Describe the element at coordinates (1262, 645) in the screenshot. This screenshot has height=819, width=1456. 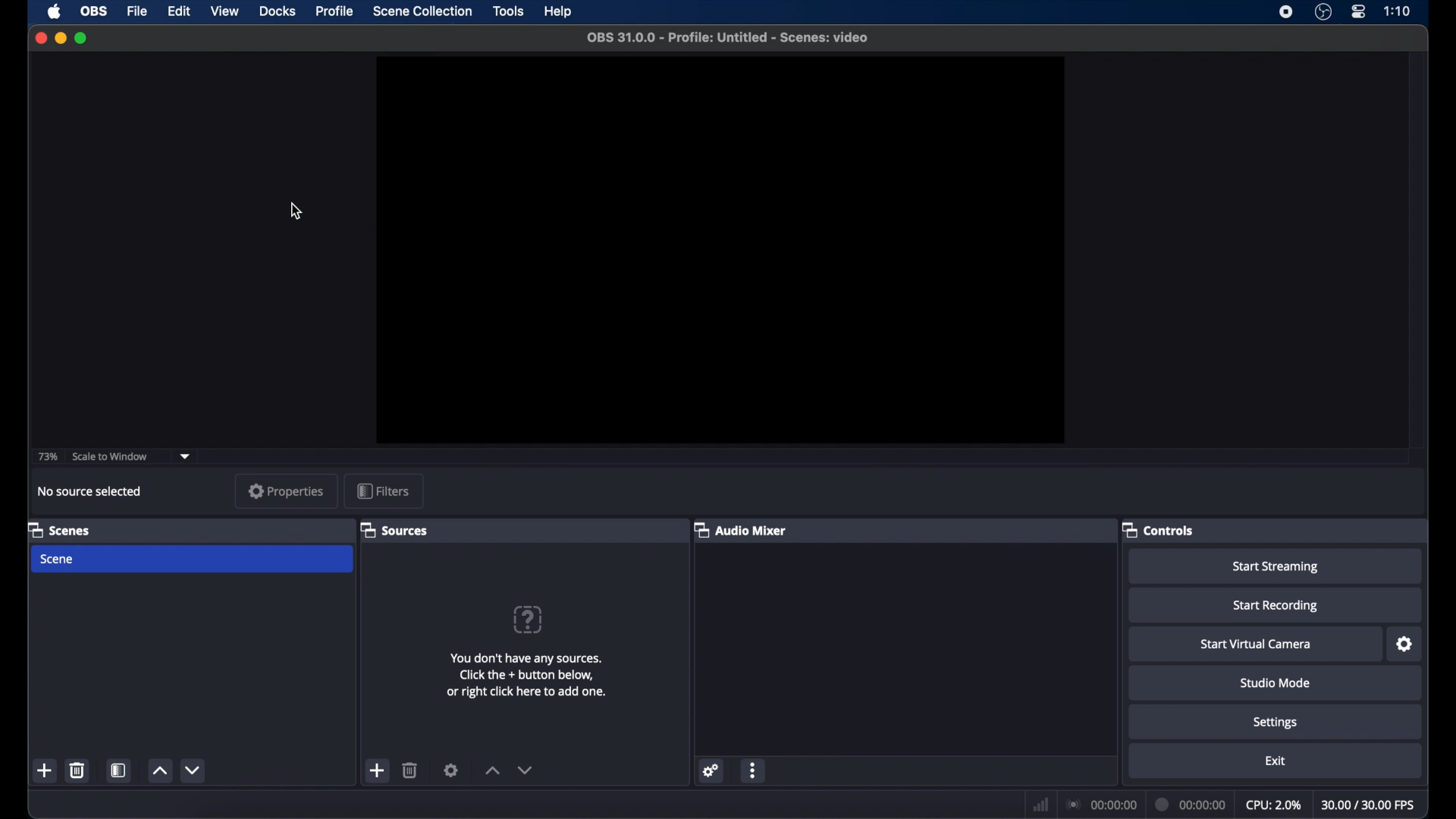
I see `start virtual camera` at that location.